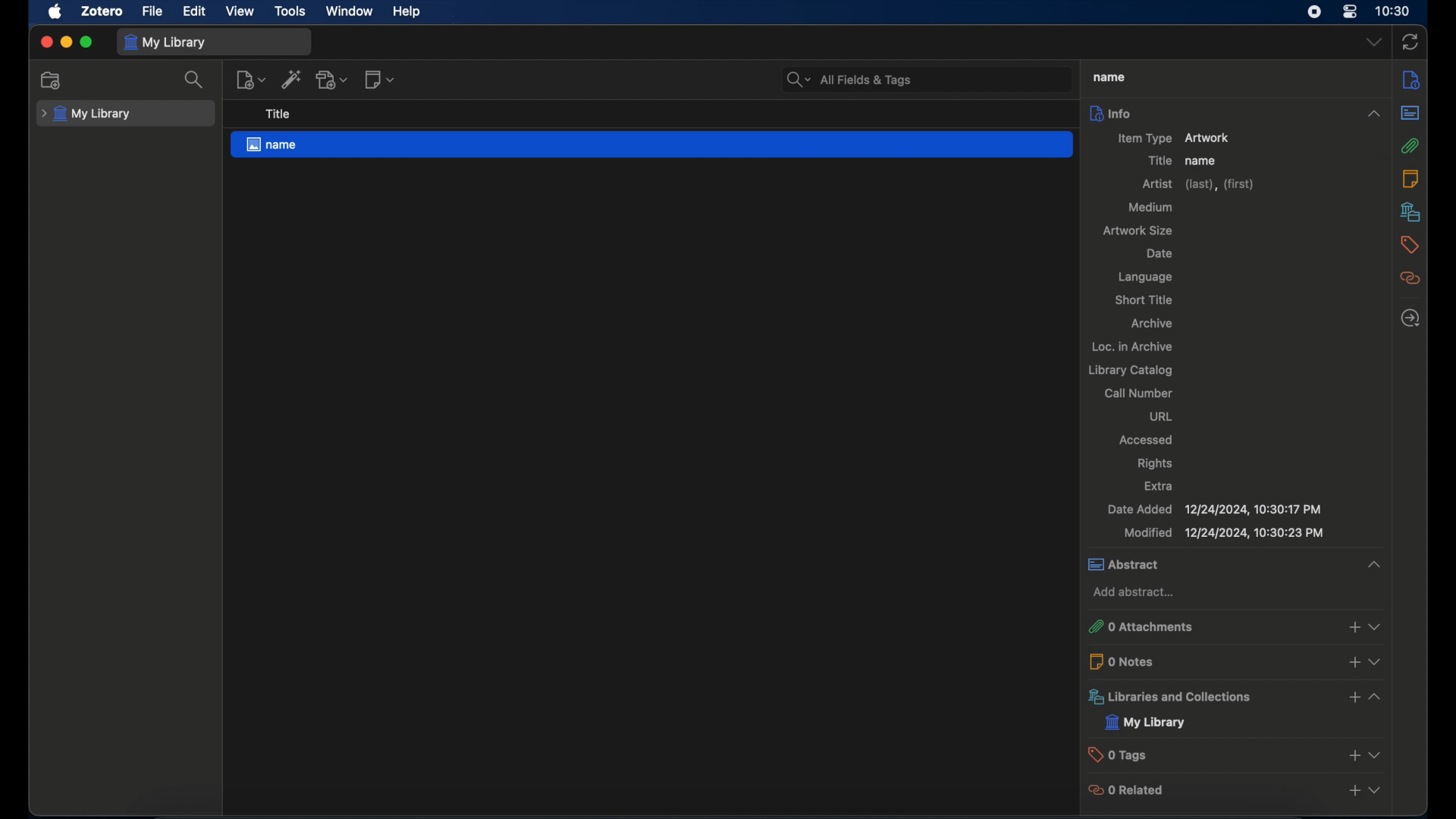 Image resolution: width=1456 pixels, height=819 pixels. Describe the element at coordinates (1141, 231) in the screenshot. I see `artwork size` at that location.